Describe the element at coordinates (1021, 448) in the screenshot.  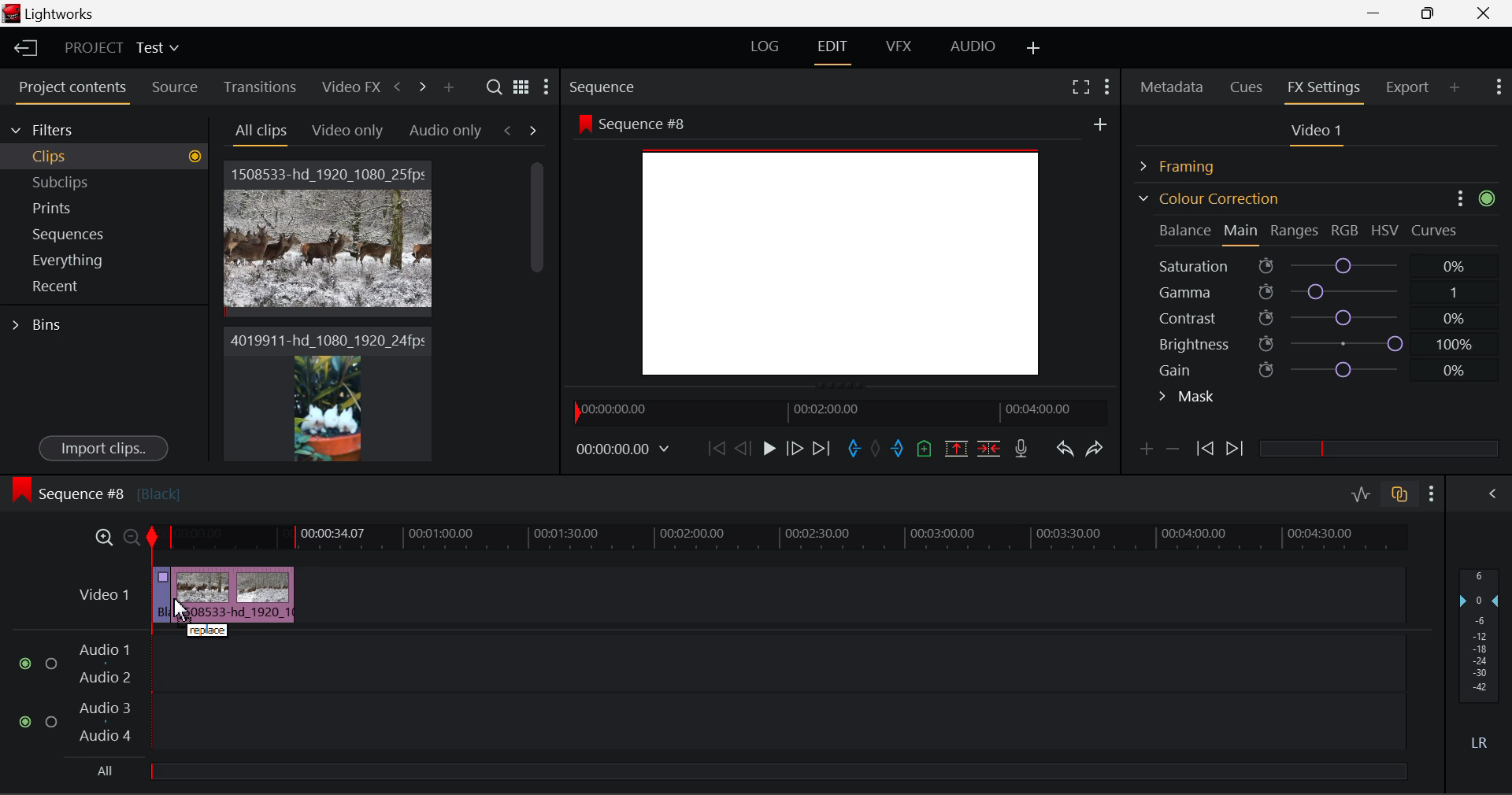
I see `Recrod Voiceover` at that location.